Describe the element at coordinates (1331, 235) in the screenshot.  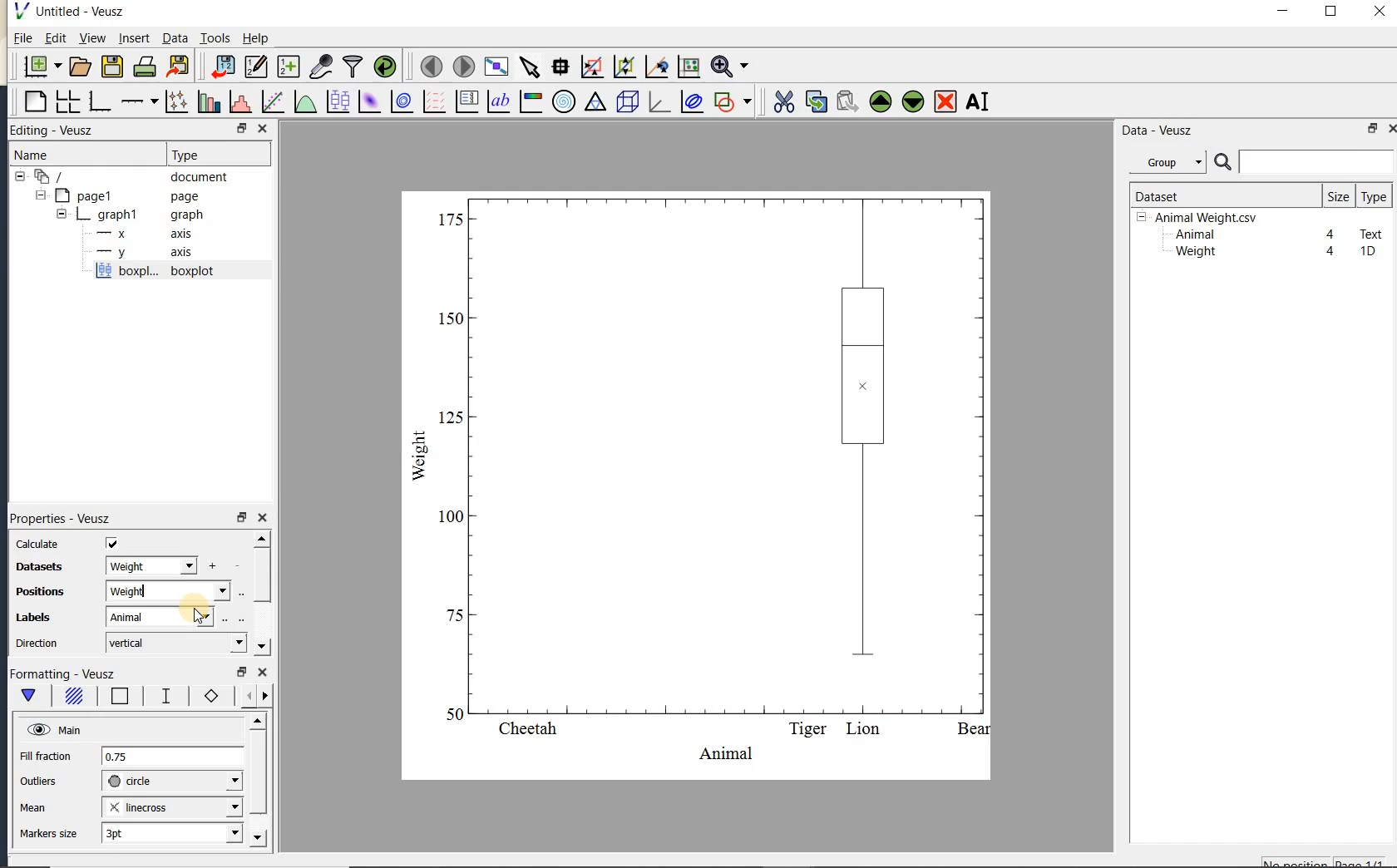
I see `4` at that location.